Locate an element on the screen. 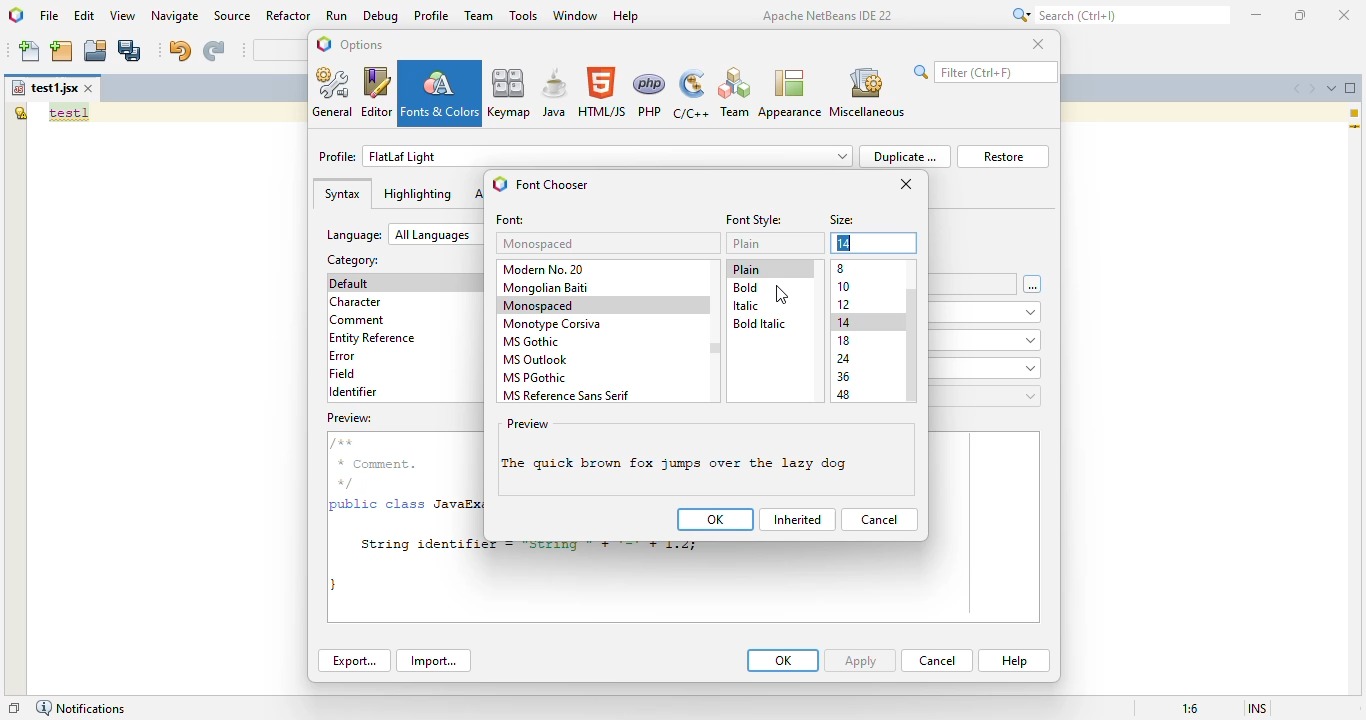 The width and height of the screenshot is (1366, 720). field is located at coordinates (343, 374).